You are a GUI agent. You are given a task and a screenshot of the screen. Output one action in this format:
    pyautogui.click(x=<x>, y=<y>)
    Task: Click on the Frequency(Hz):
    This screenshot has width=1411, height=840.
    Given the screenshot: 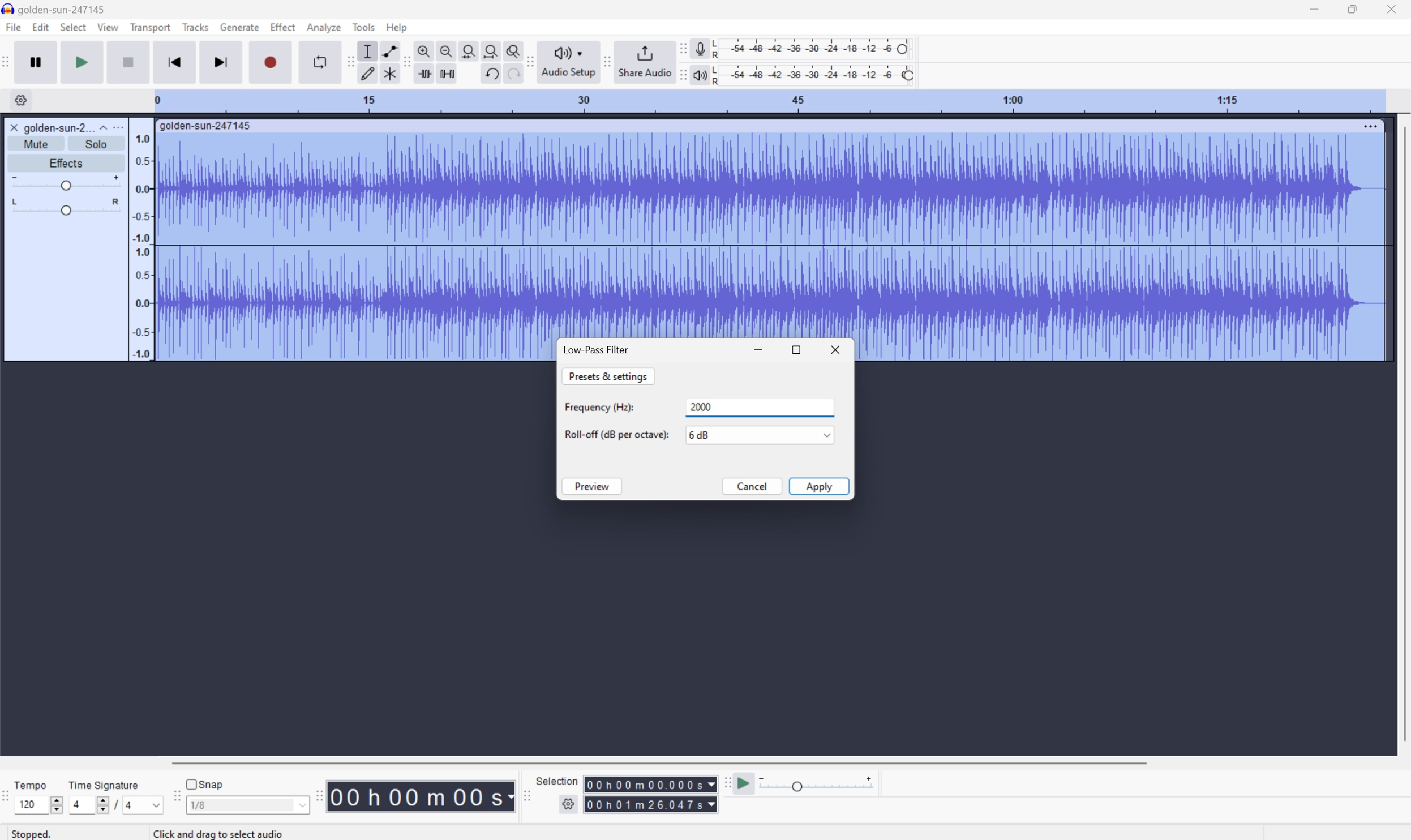 What is the action you would take?
    pyautogui.click(x=600, y=407)
    